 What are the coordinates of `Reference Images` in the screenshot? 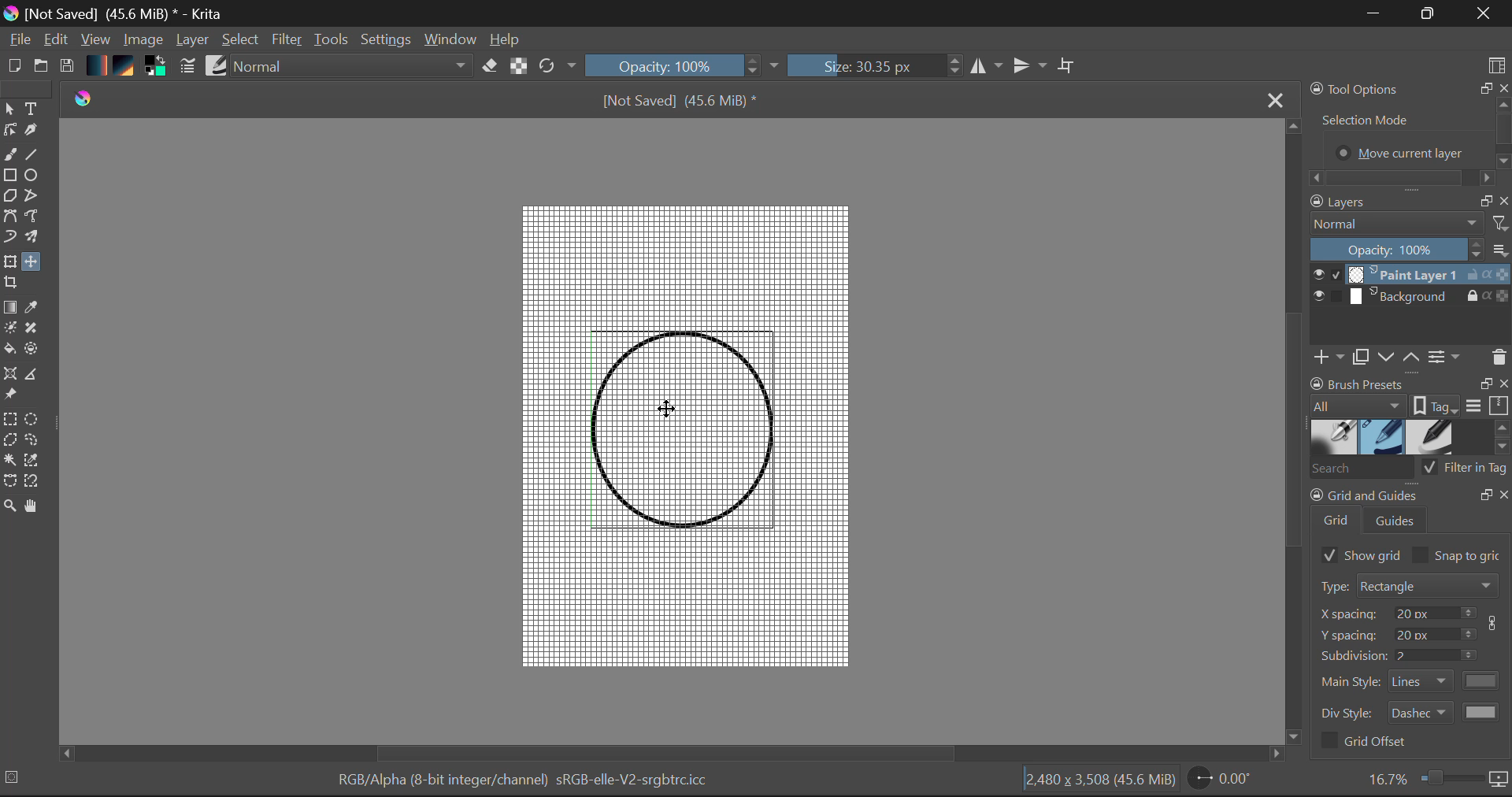 It's located at (10, 395).